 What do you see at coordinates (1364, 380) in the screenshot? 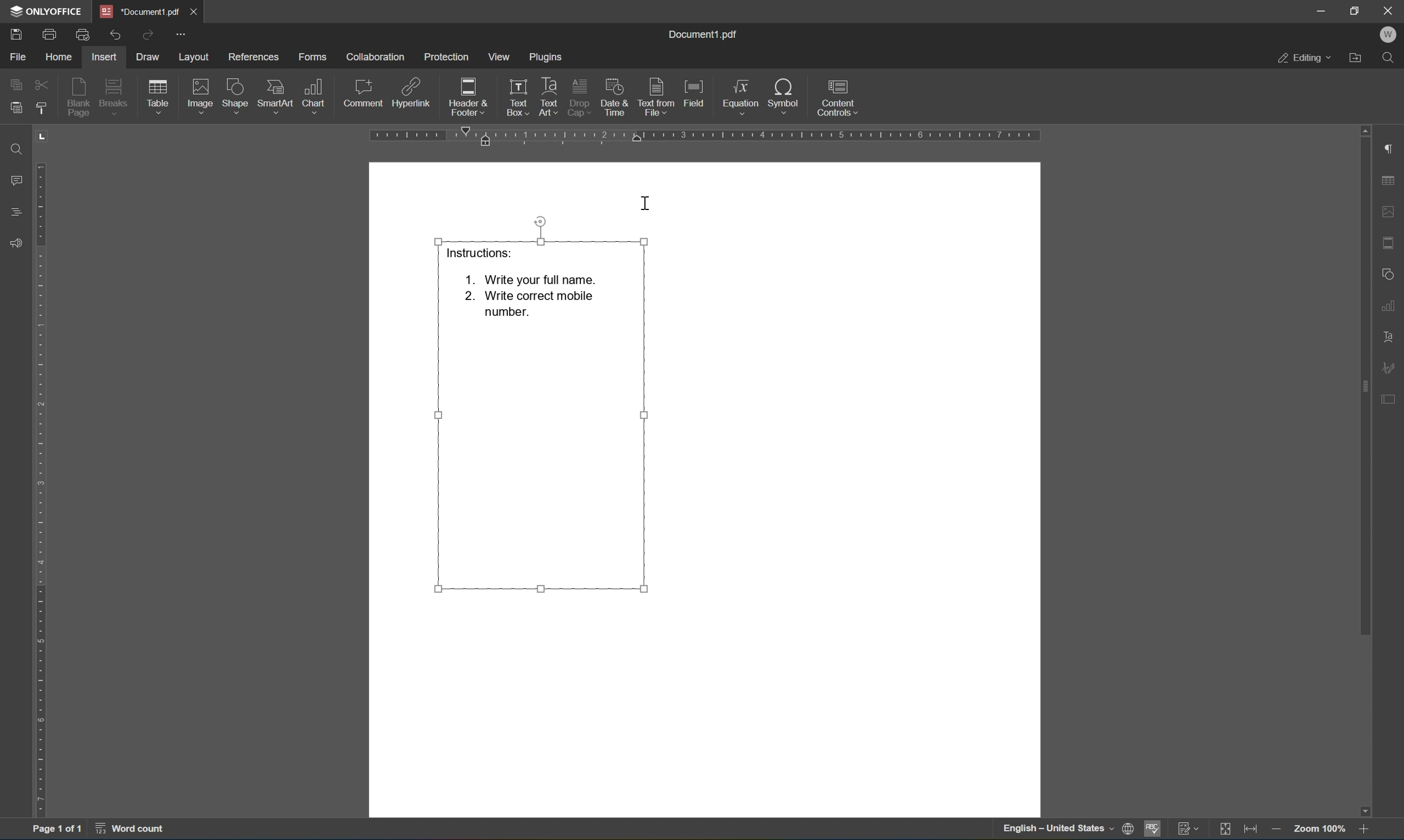
I see `scroll bar settings` at bounding box center [1364, 380].